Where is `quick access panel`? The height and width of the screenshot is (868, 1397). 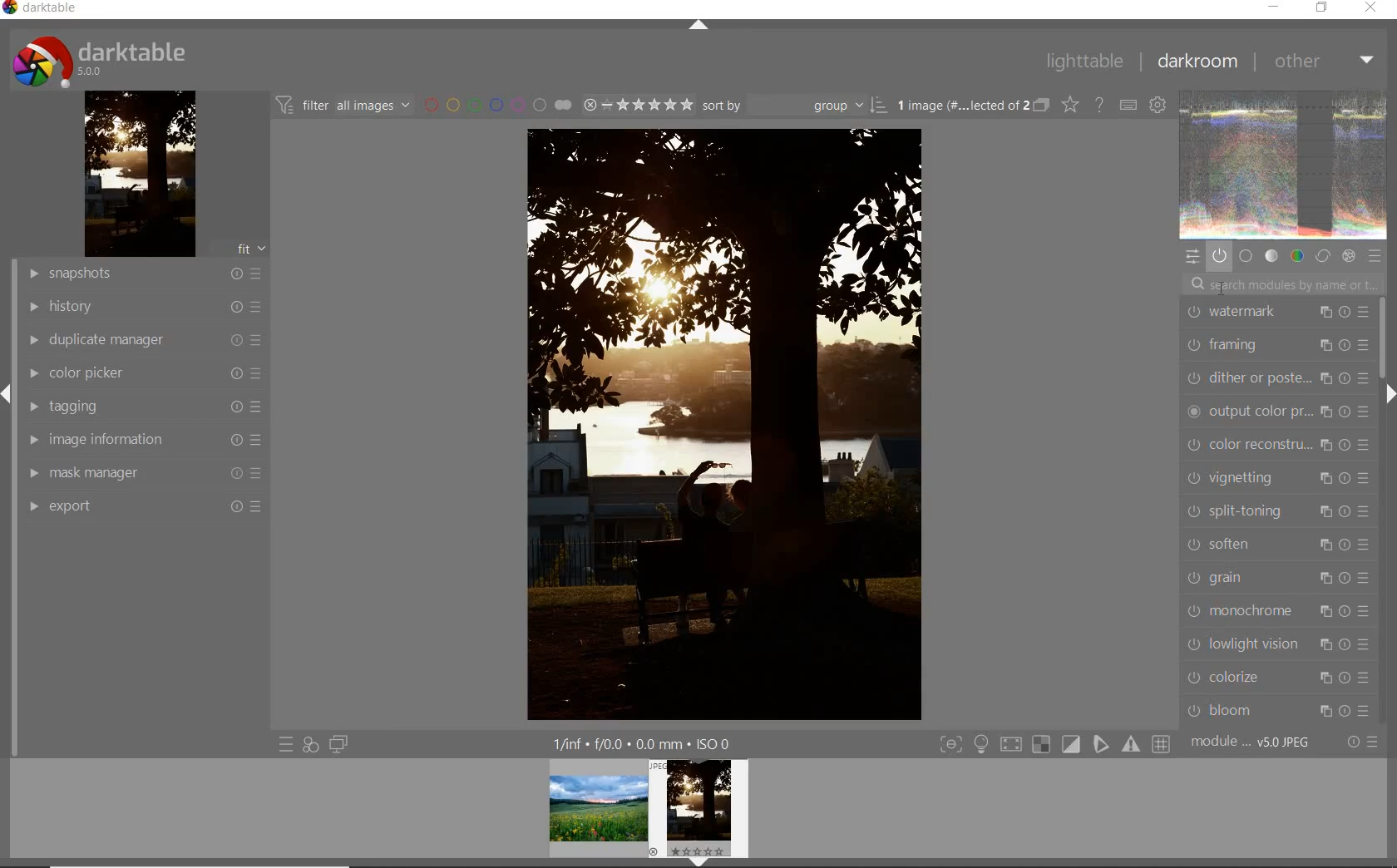 quick access panel is located at coordinates (1193, 255).